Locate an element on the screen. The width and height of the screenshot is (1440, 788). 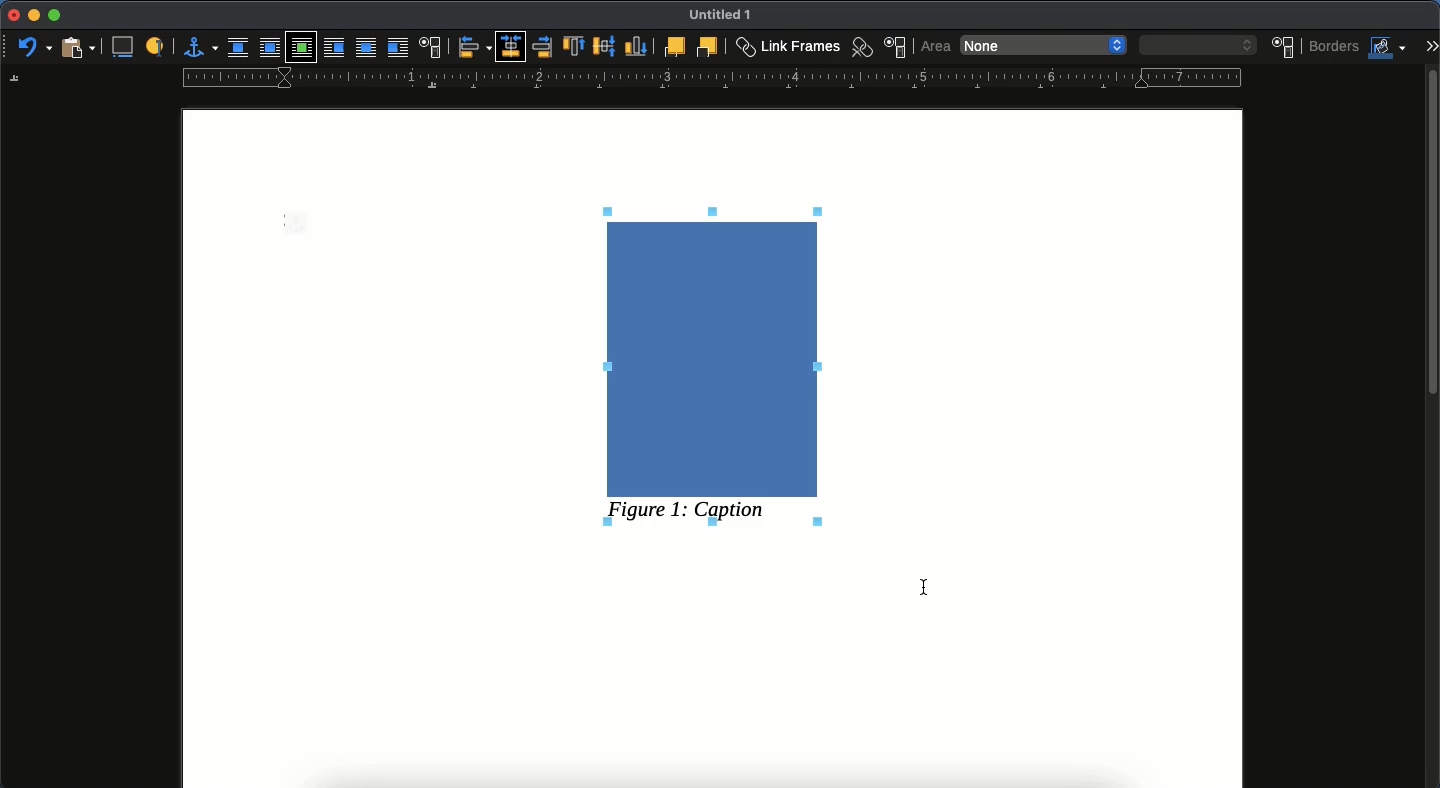
fill colors is located at coordinates (1389, 47).